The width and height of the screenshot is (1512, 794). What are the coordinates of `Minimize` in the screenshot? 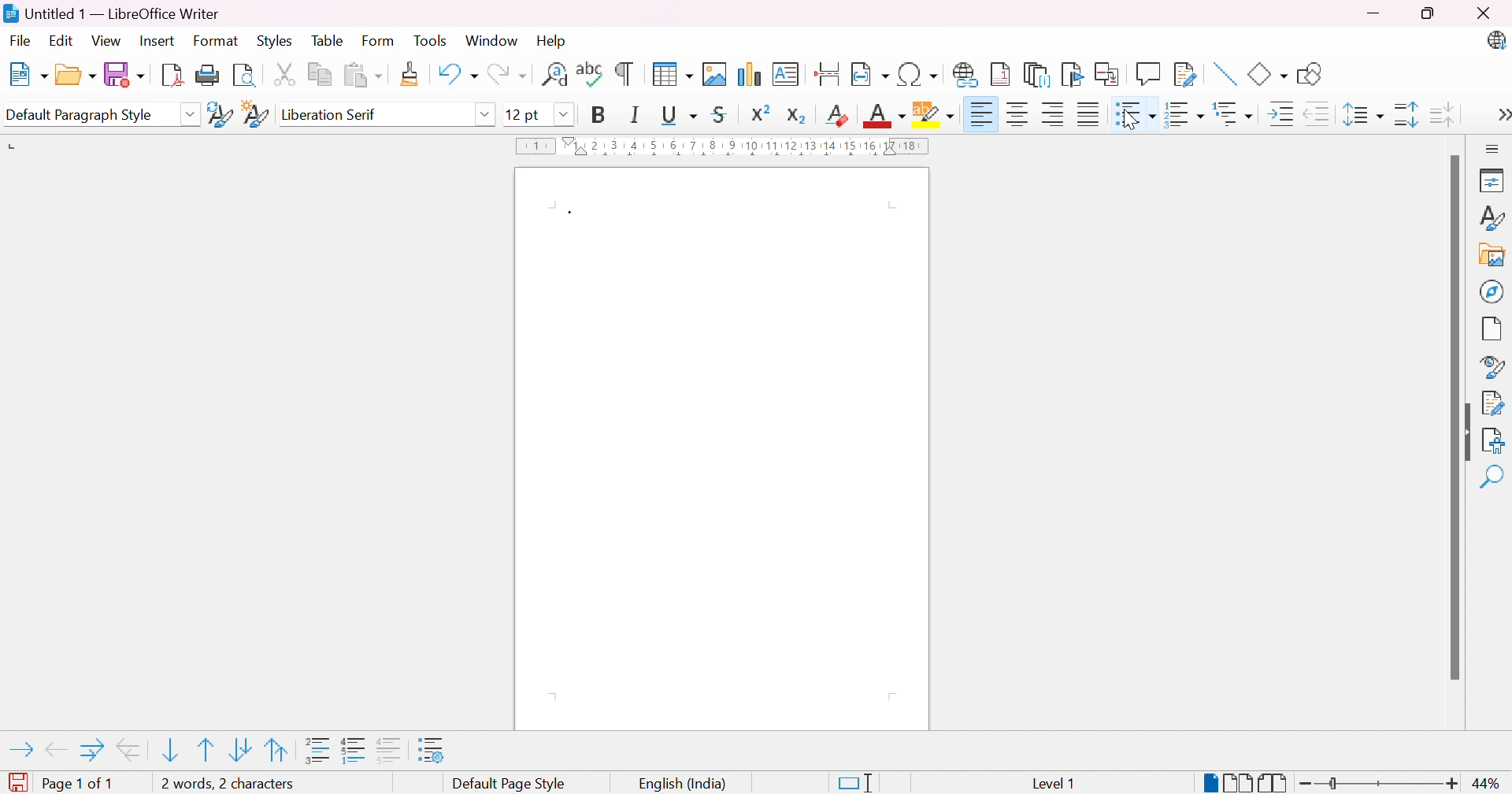 It's located at (1373, 11).